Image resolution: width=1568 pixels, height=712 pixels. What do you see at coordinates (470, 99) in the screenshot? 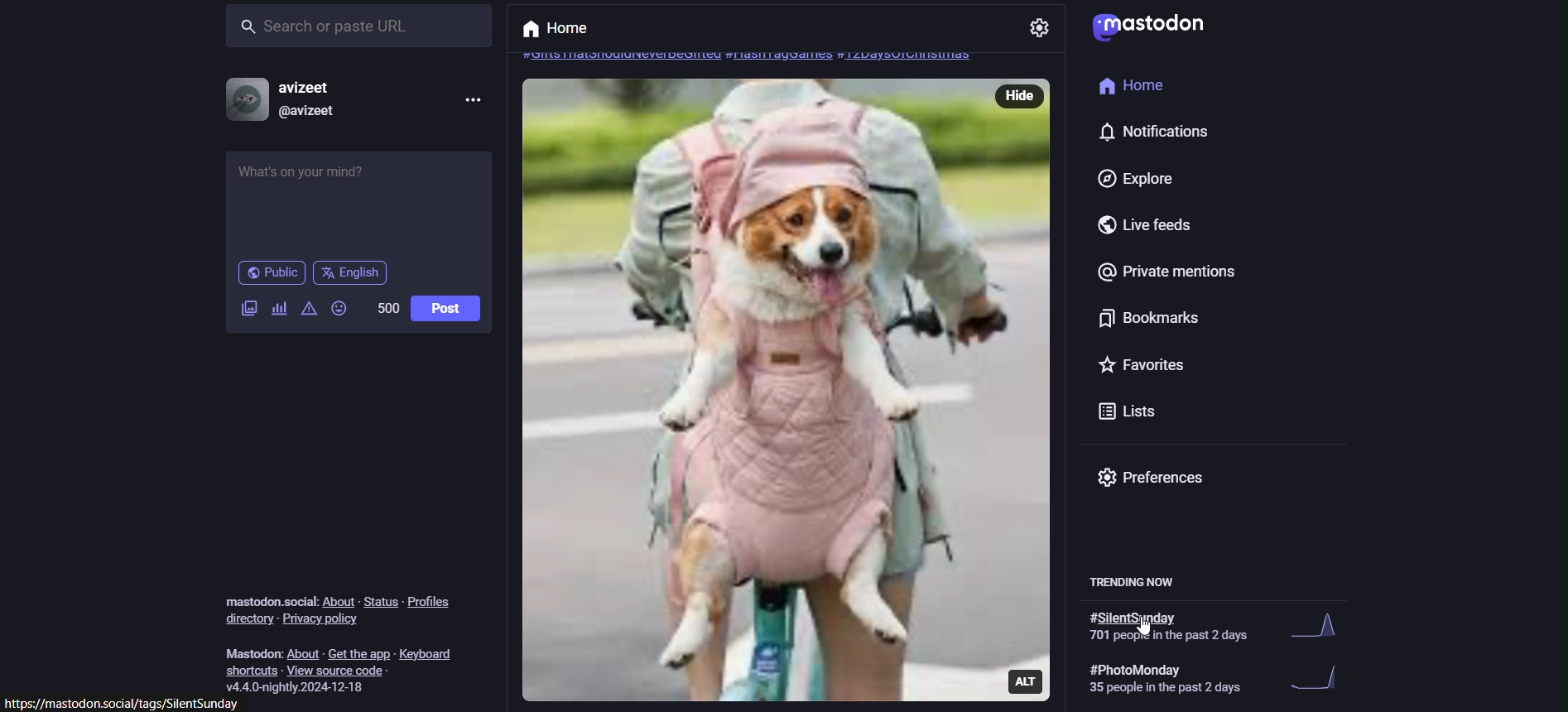
I see `menu` at bounding box center [470, 99].